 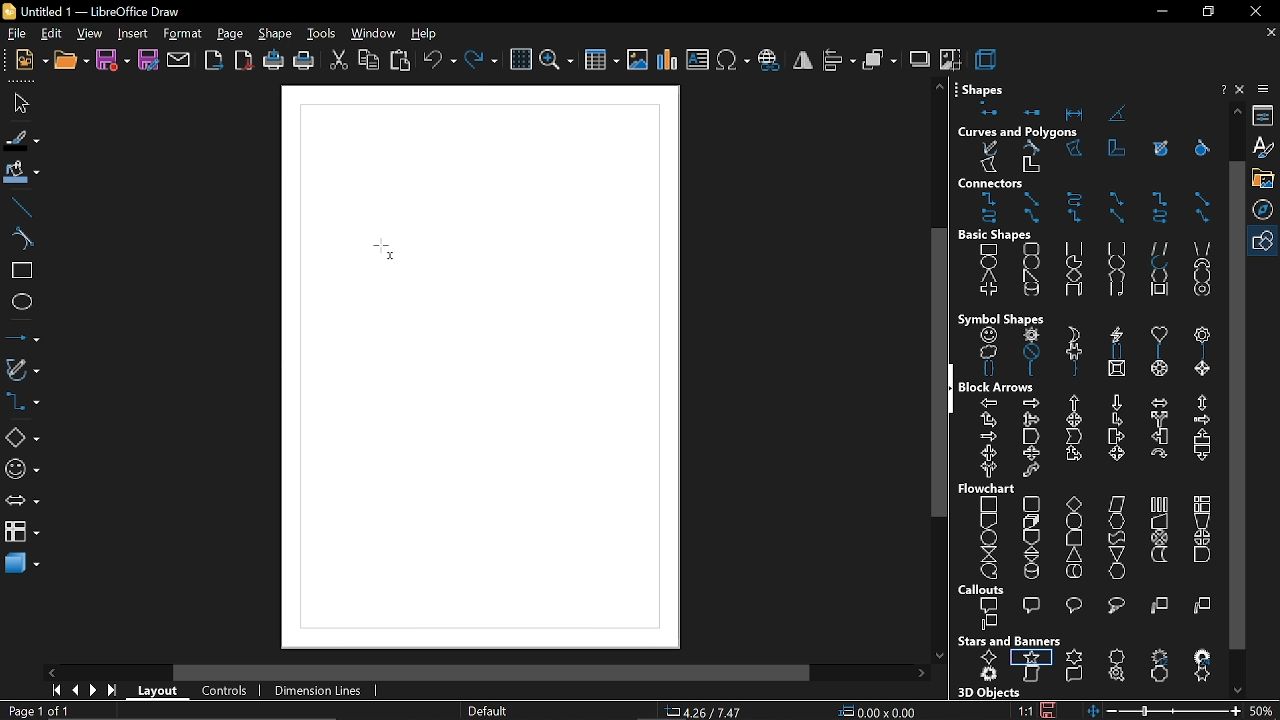 What do you see at coordinates (130, 34) in the screenshot?
I see `insert` at bounding box center [130, 34].